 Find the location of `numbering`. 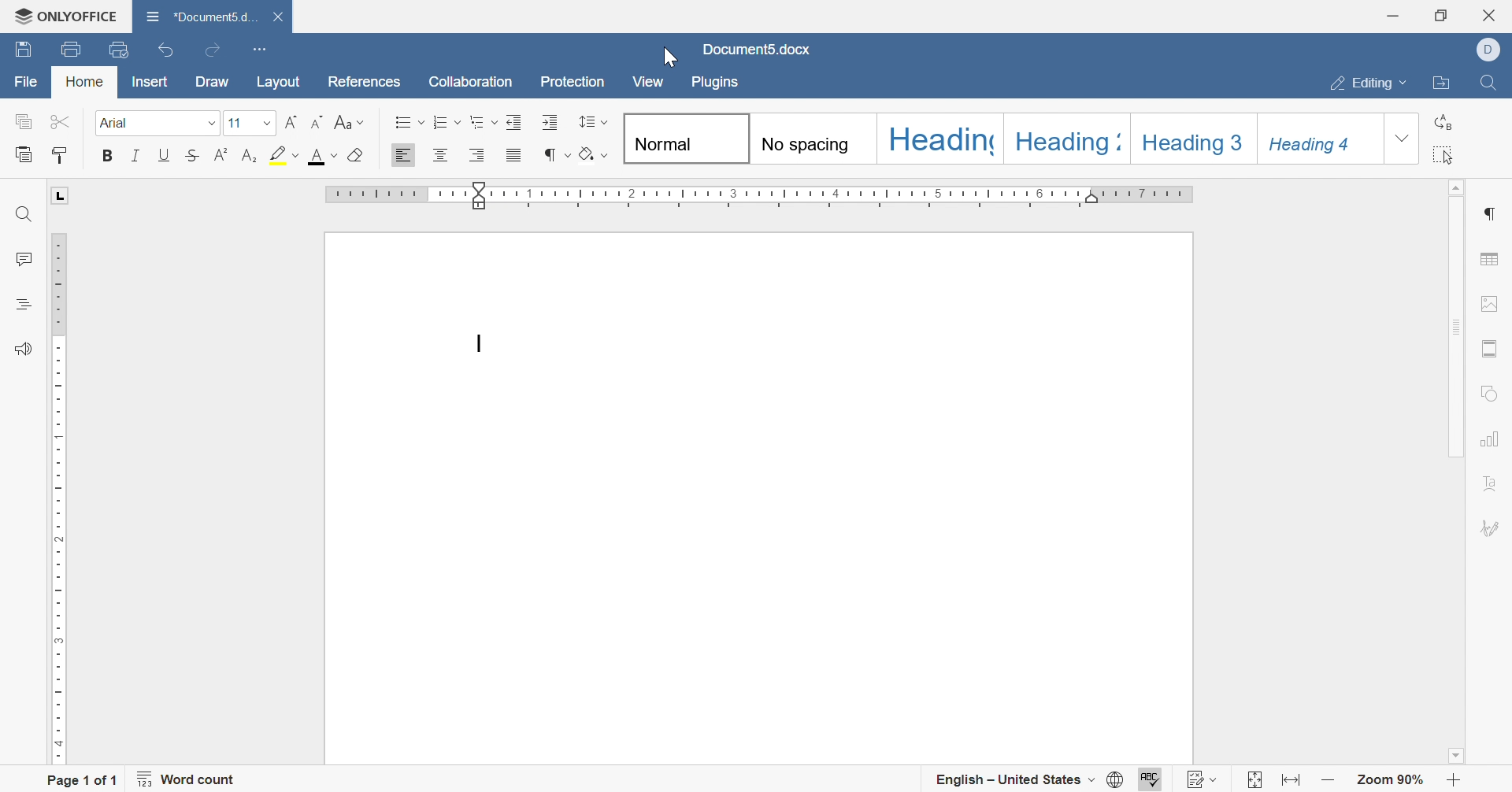

numbering is located at coordinates (447, 123).